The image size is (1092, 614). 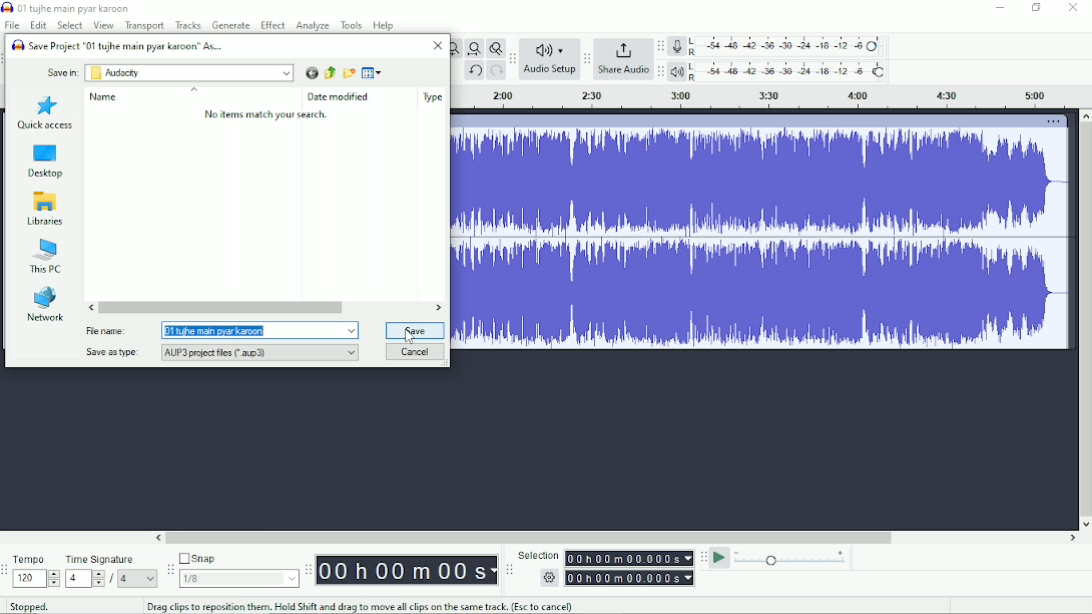 I want to click on Horizontal scrollbar, so click(x=265, y=308).